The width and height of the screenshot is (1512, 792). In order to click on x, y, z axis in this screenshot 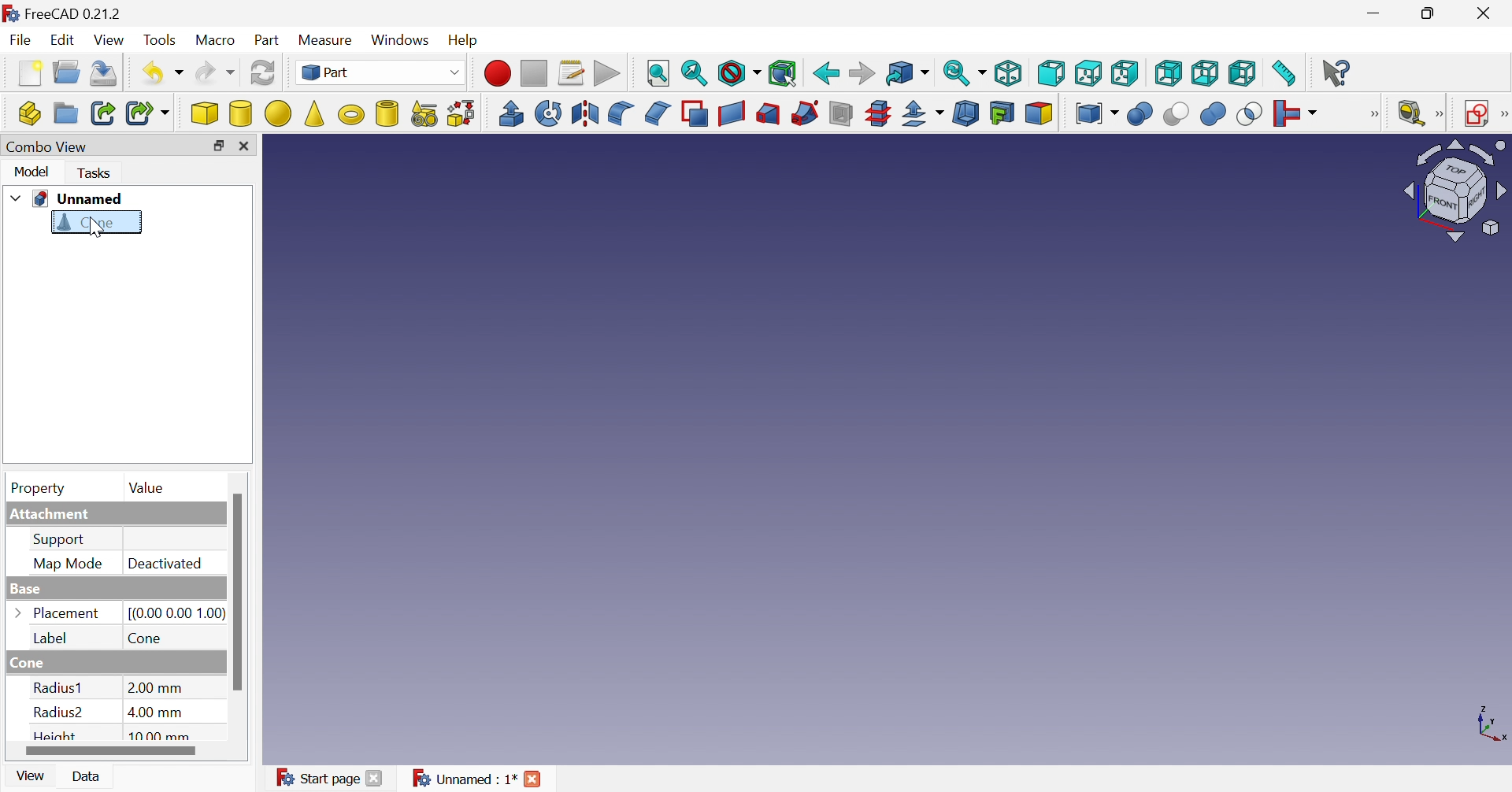, I will do `click(1489, 727)`.